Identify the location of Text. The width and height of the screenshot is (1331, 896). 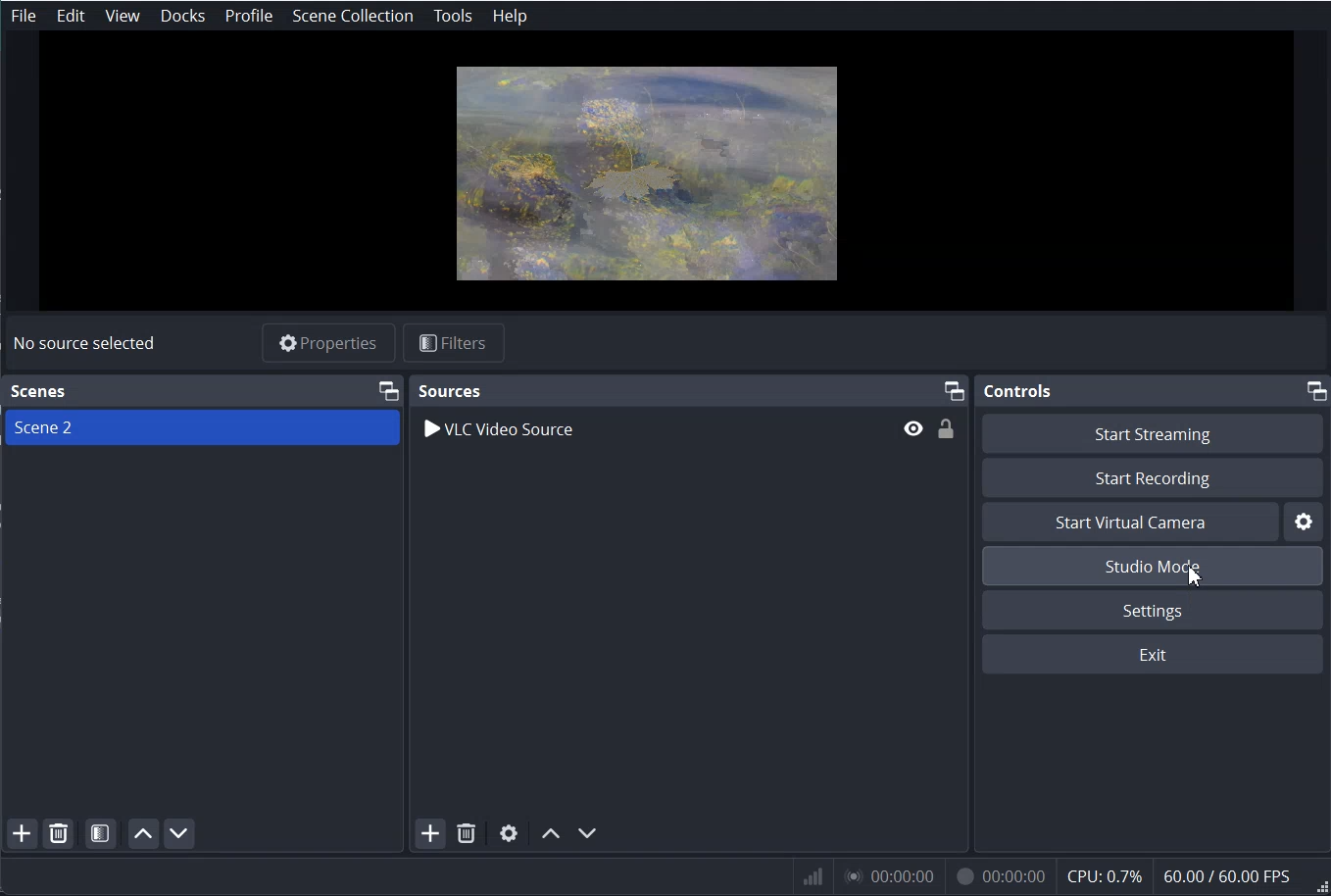
(83, 343).